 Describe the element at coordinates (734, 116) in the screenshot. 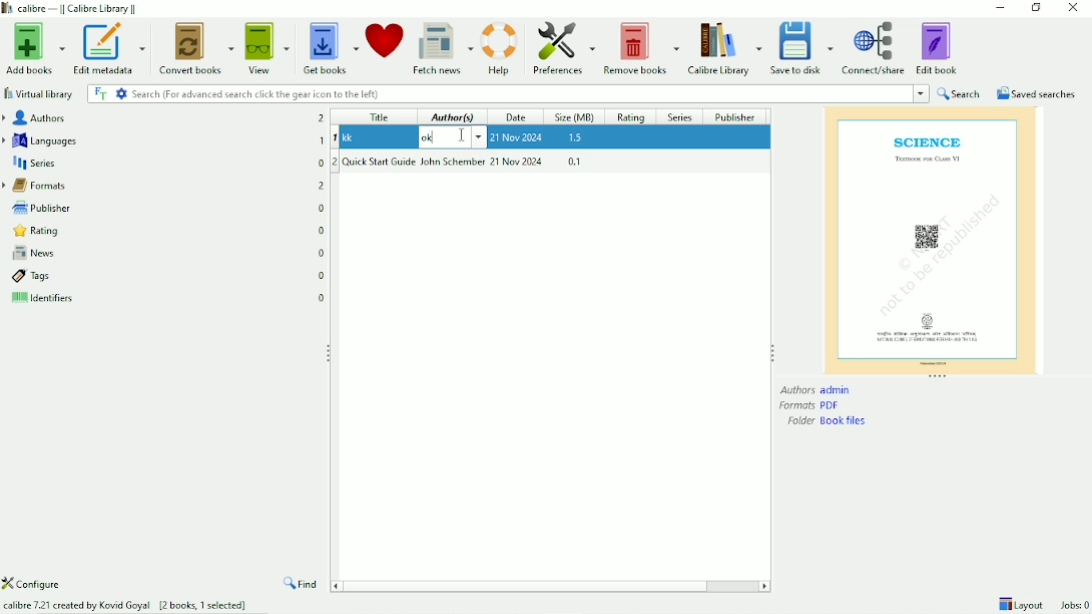

I see `Publisher` at that location.